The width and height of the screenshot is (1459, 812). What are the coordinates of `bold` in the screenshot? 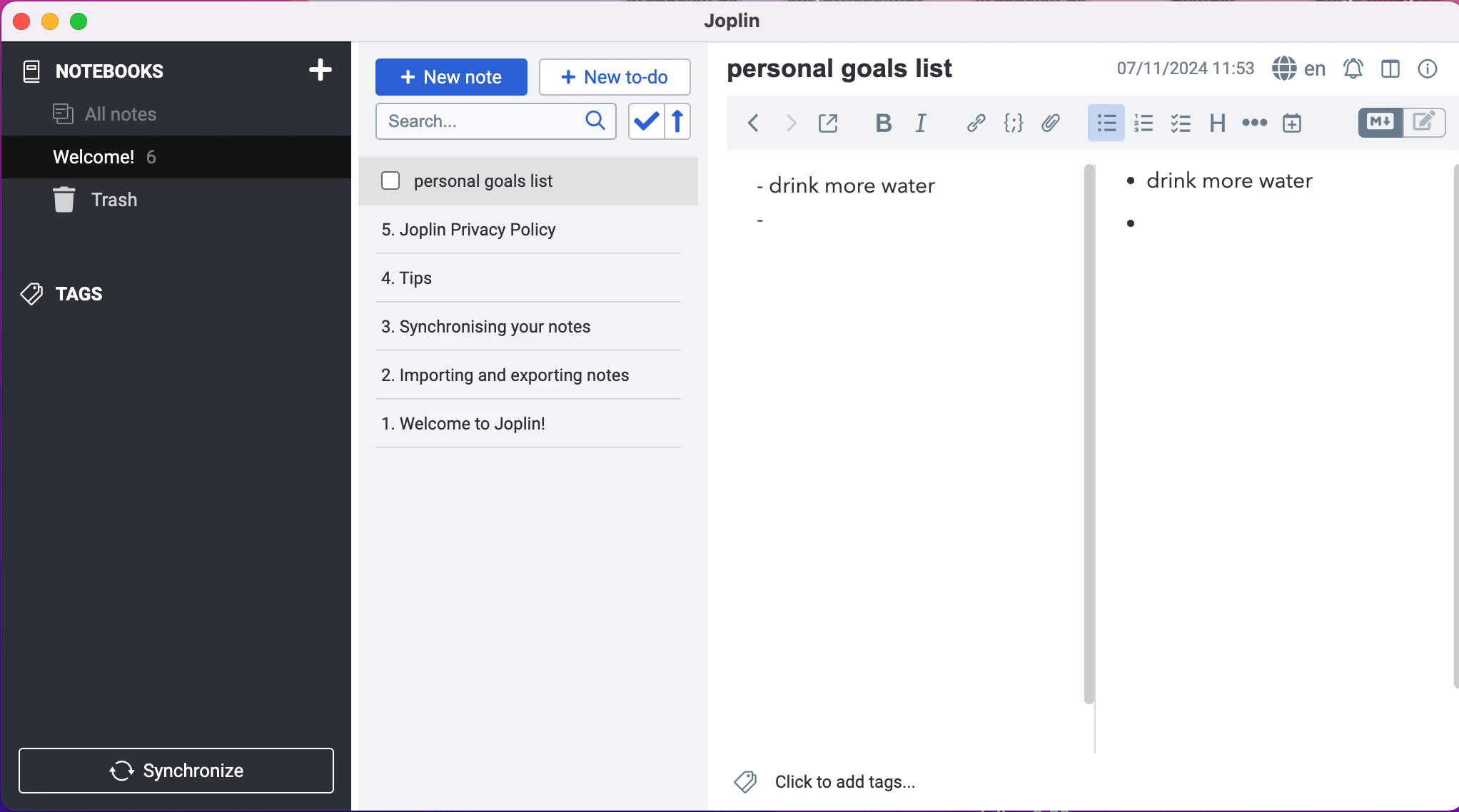 It's located at (880, 126).